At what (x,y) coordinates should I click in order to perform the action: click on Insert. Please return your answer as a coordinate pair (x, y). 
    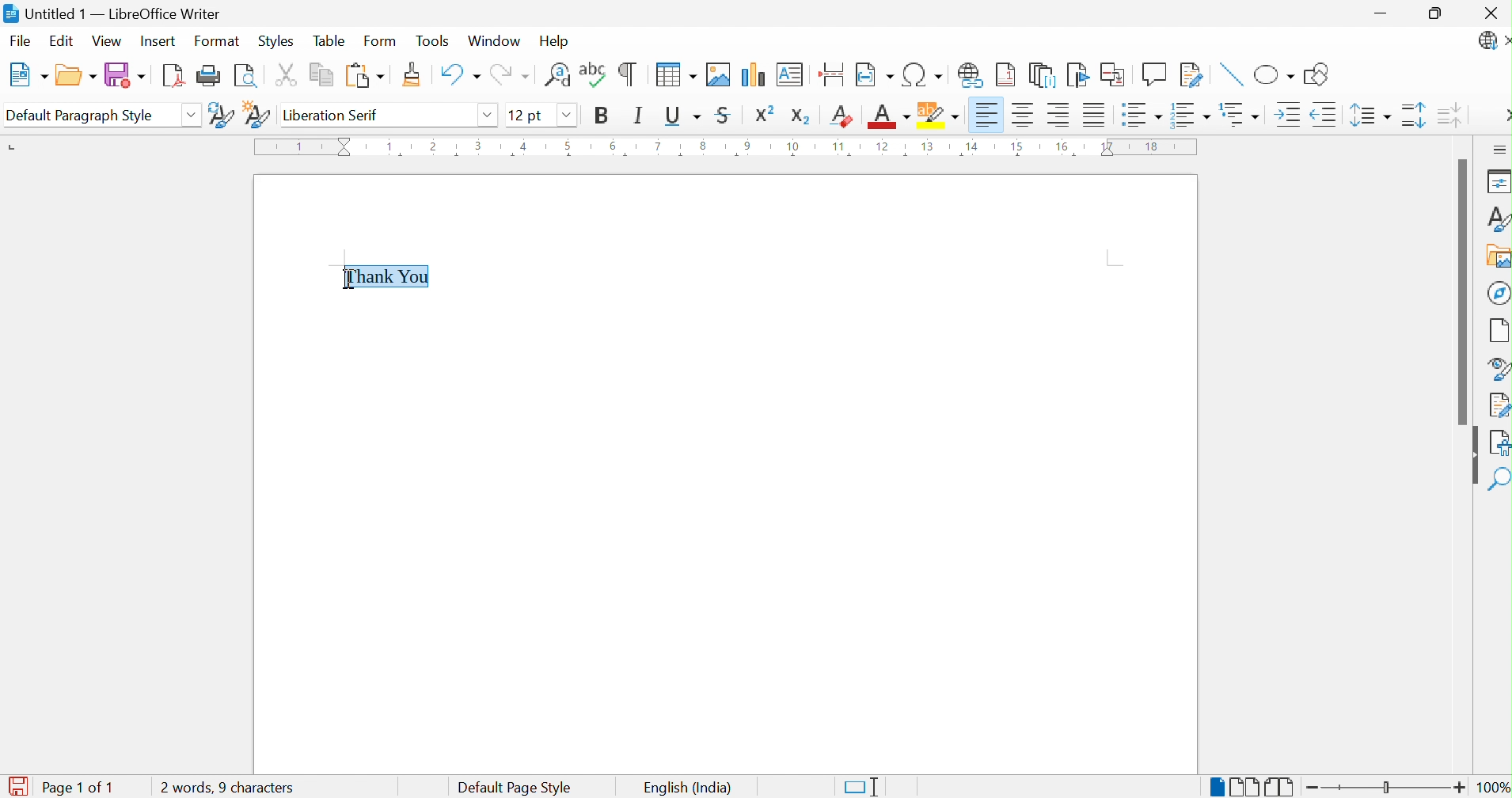
    Looking at the image, I should click on (160, 40).